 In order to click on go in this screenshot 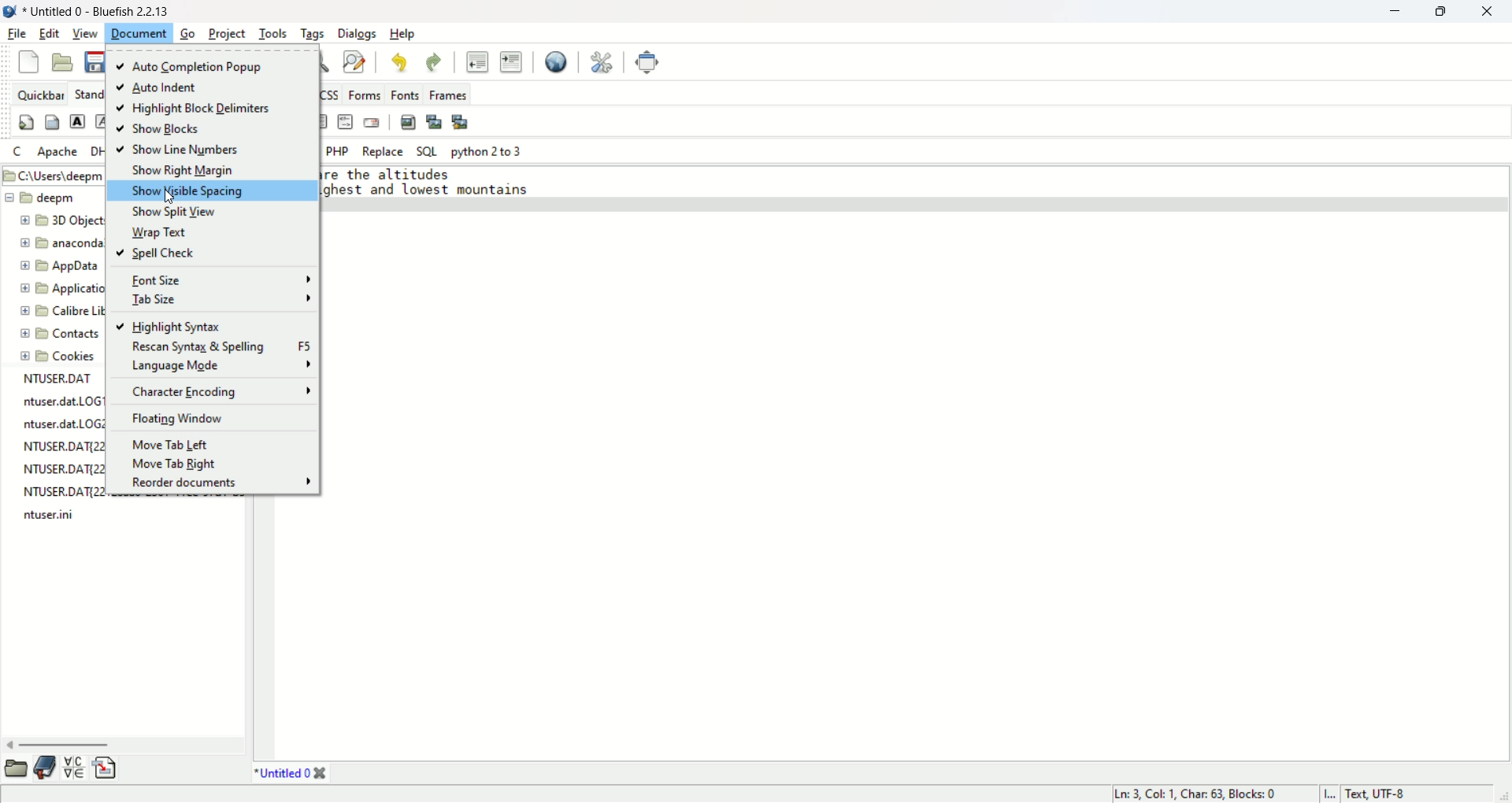, I will do `click(189, 35)`.